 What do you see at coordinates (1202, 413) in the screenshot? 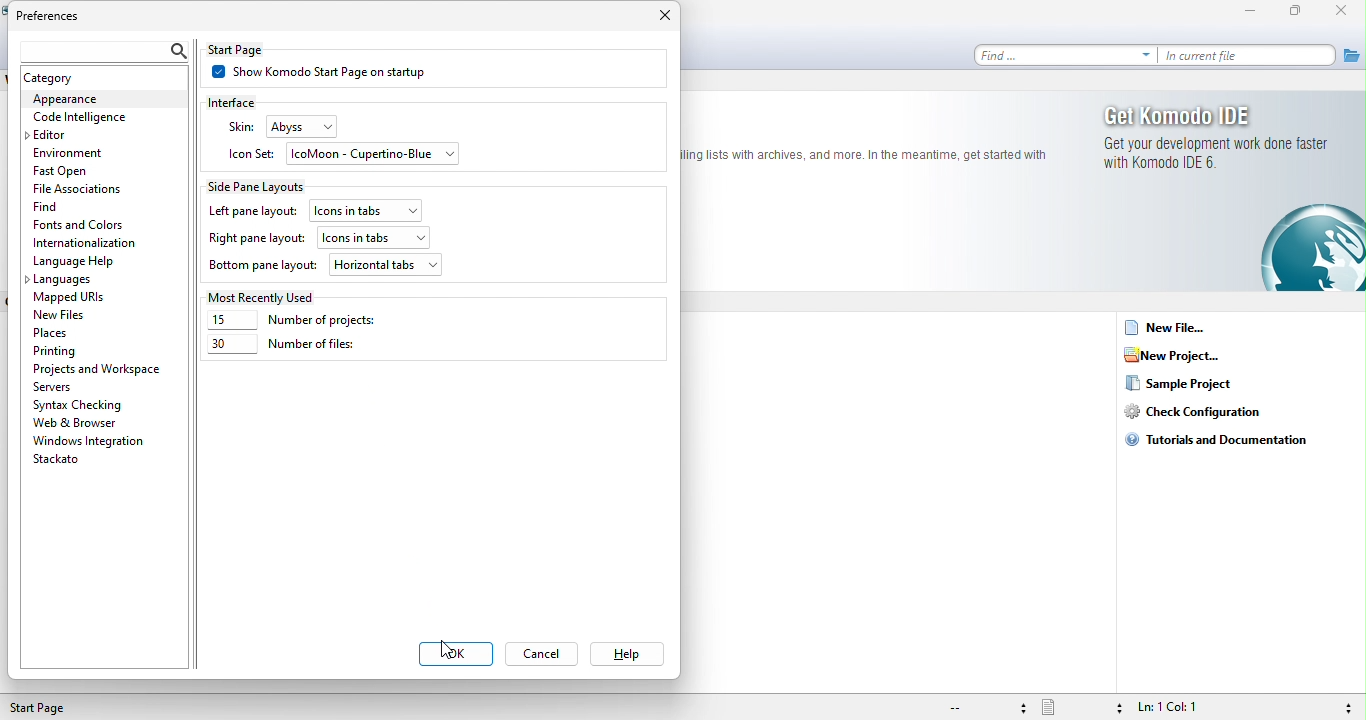
I see `check configuration` at bounding box center [1202, 413].